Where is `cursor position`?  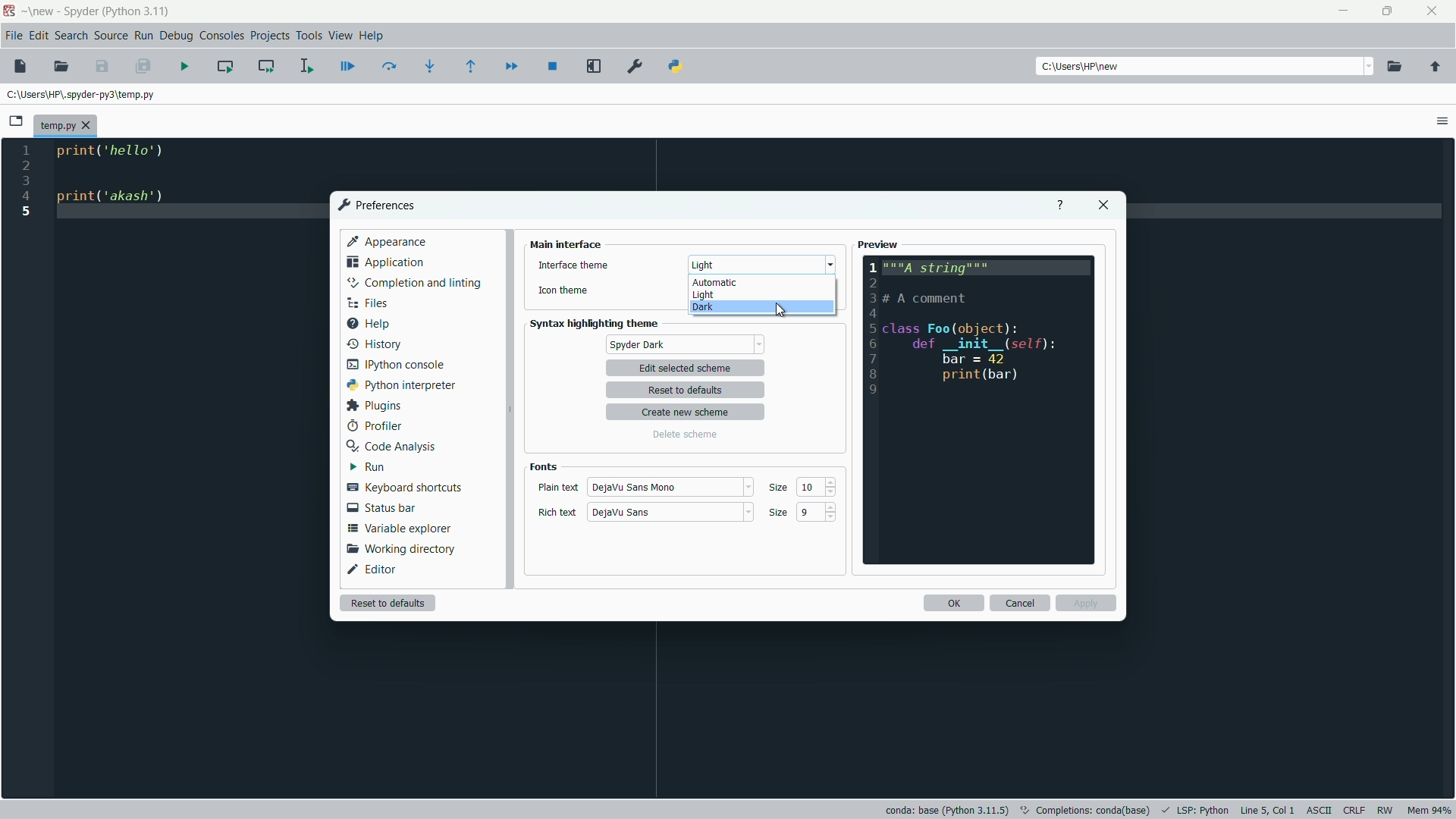 cursor position is located at coordinates (1267, 810).